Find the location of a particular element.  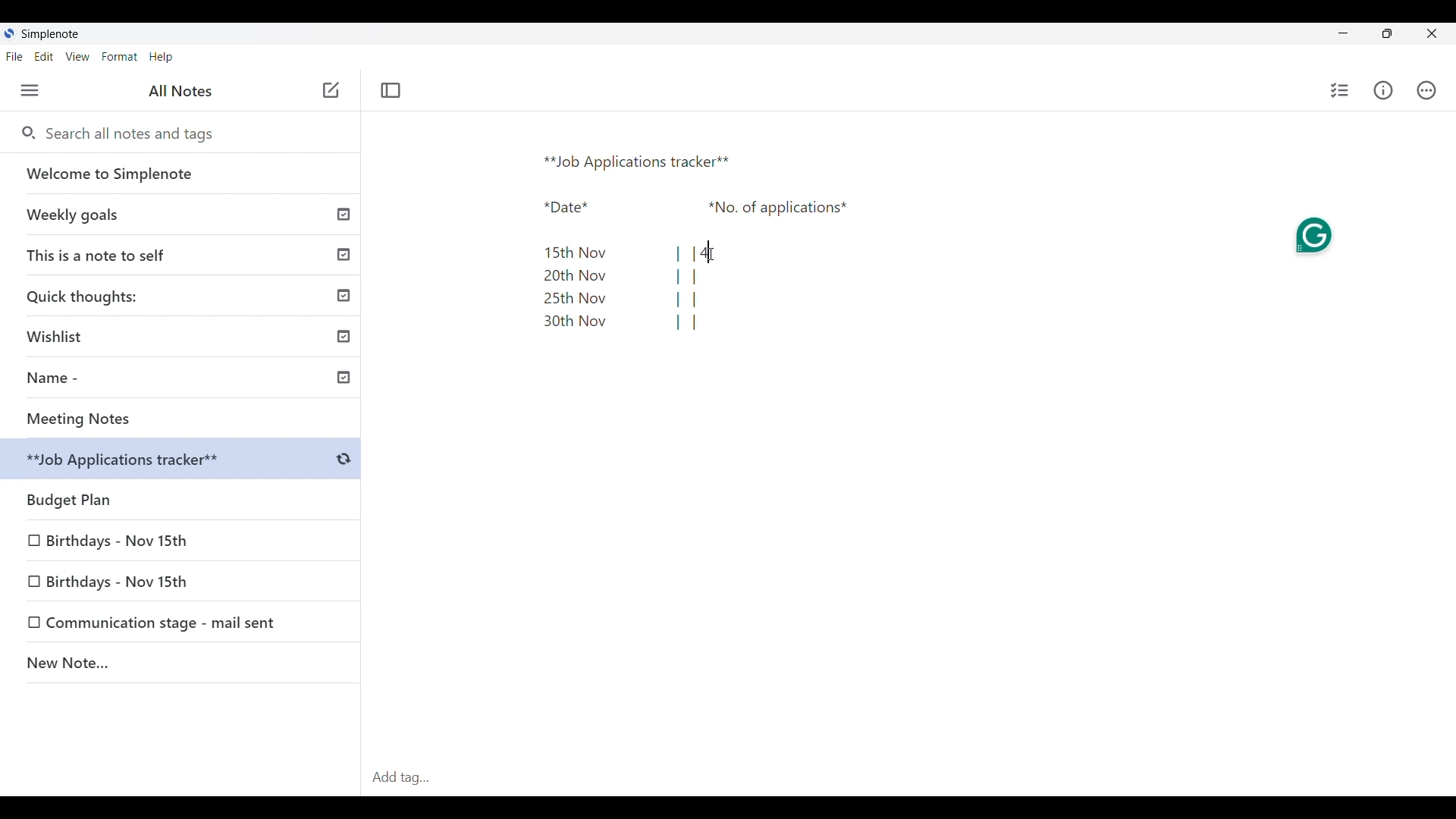

Click to insert checklist is located at coordinates (1341, 90).